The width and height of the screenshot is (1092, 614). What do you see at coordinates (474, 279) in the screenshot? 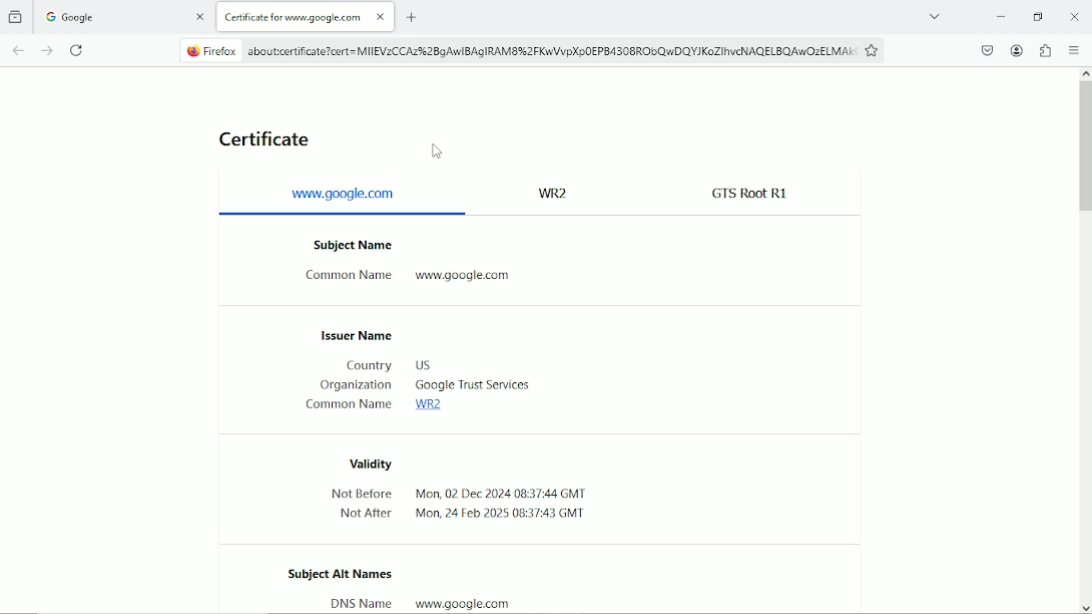
I see `www.google.com` at bounding box center [474, 279].